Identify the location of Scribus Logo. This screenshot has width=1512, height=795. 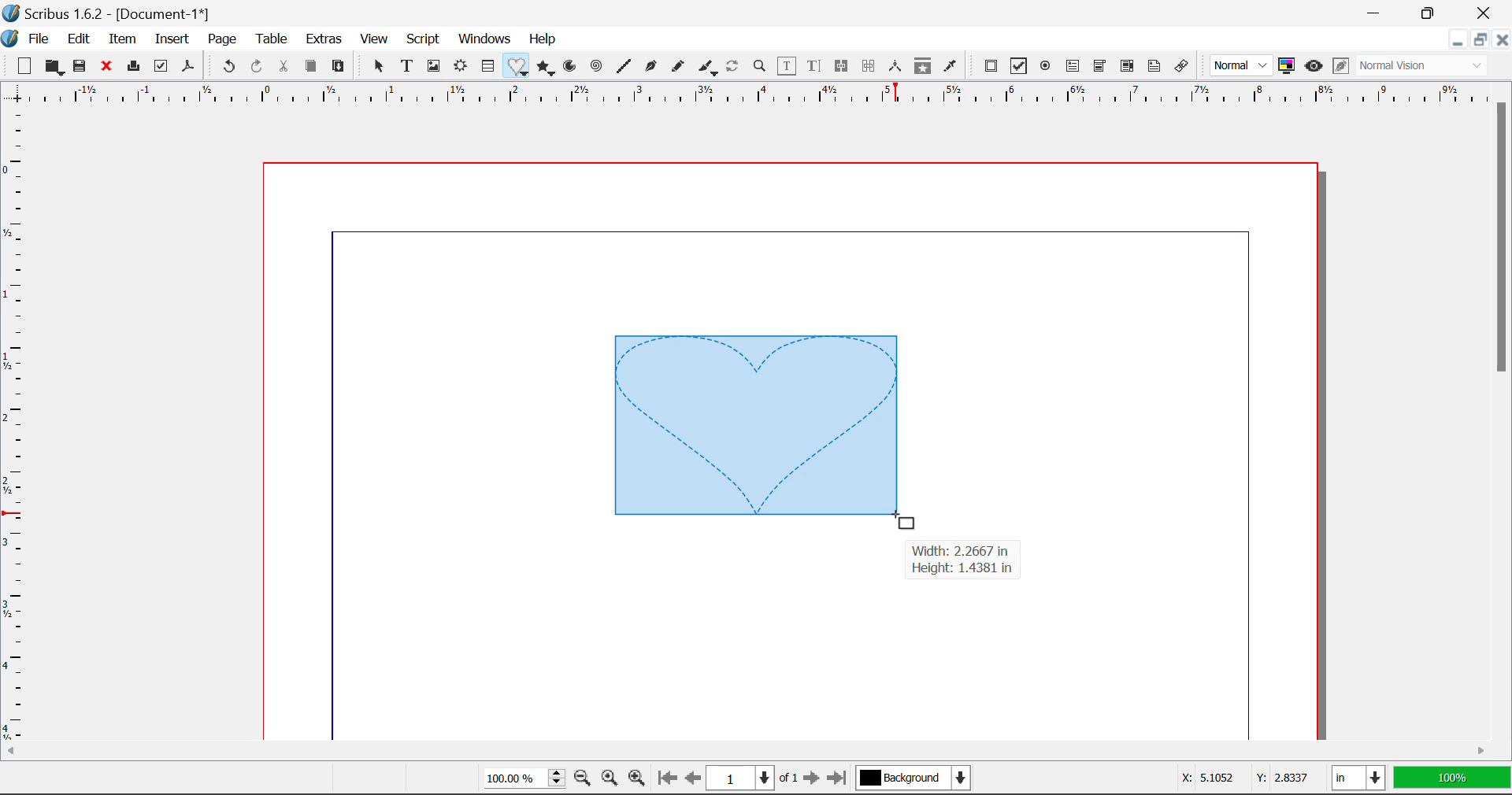
(9, 39).